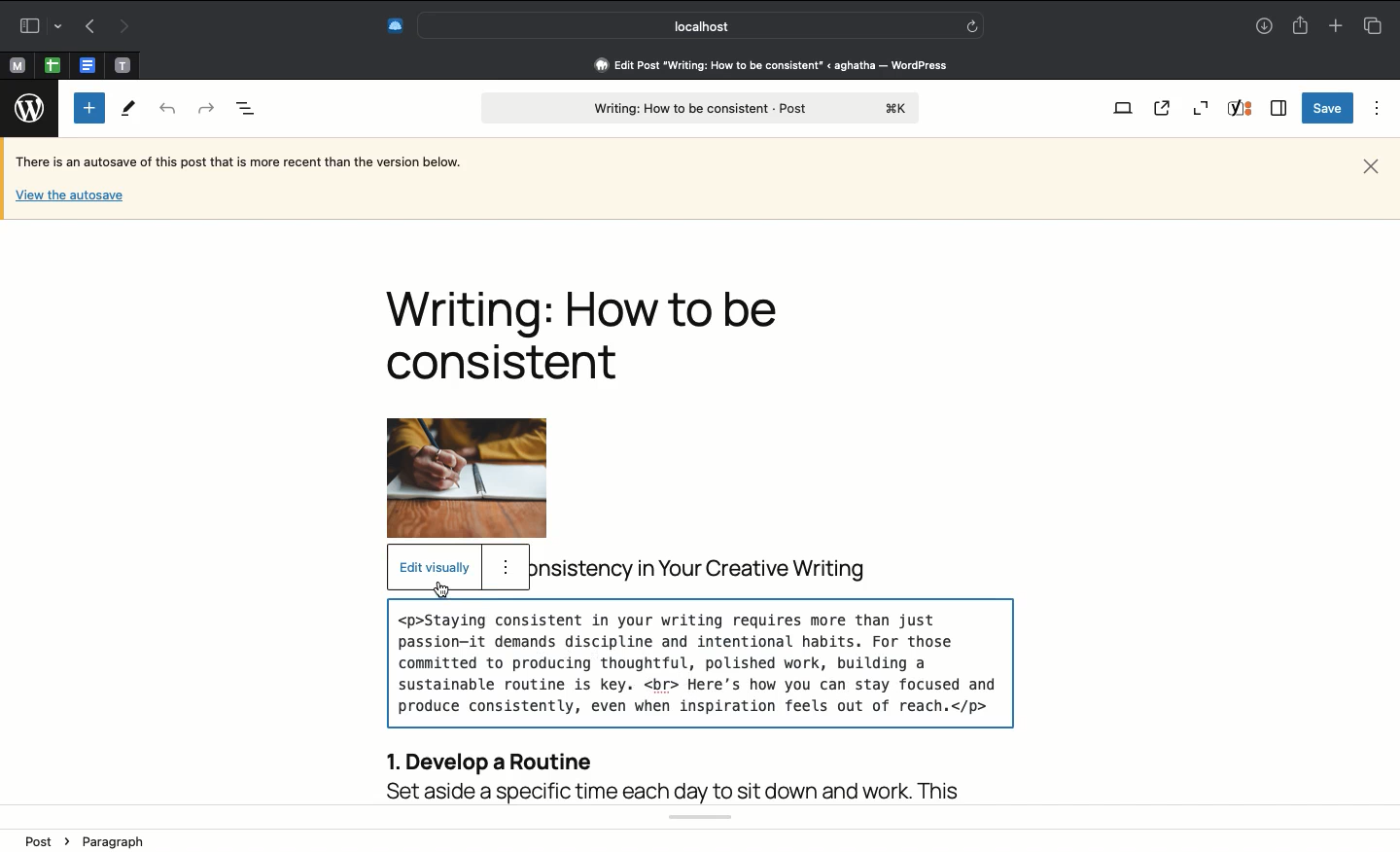  Describe the element at coordinates (706, 705) in the screenshot. I see `<br> added here` at that location.